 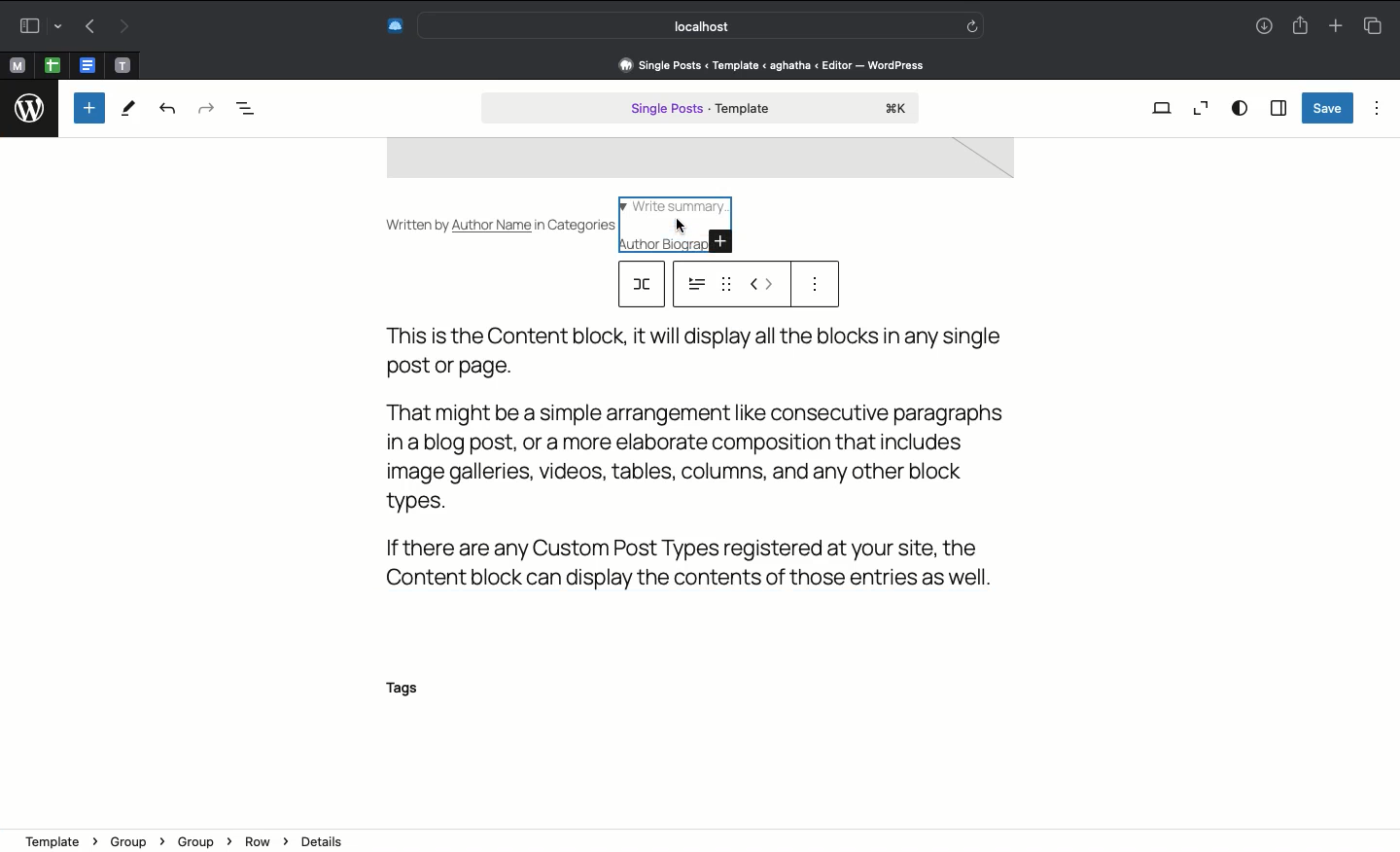 What do you see at coordinates (330, 841) in the screenshot?
I see `Details` at bounding box center [330, 841].